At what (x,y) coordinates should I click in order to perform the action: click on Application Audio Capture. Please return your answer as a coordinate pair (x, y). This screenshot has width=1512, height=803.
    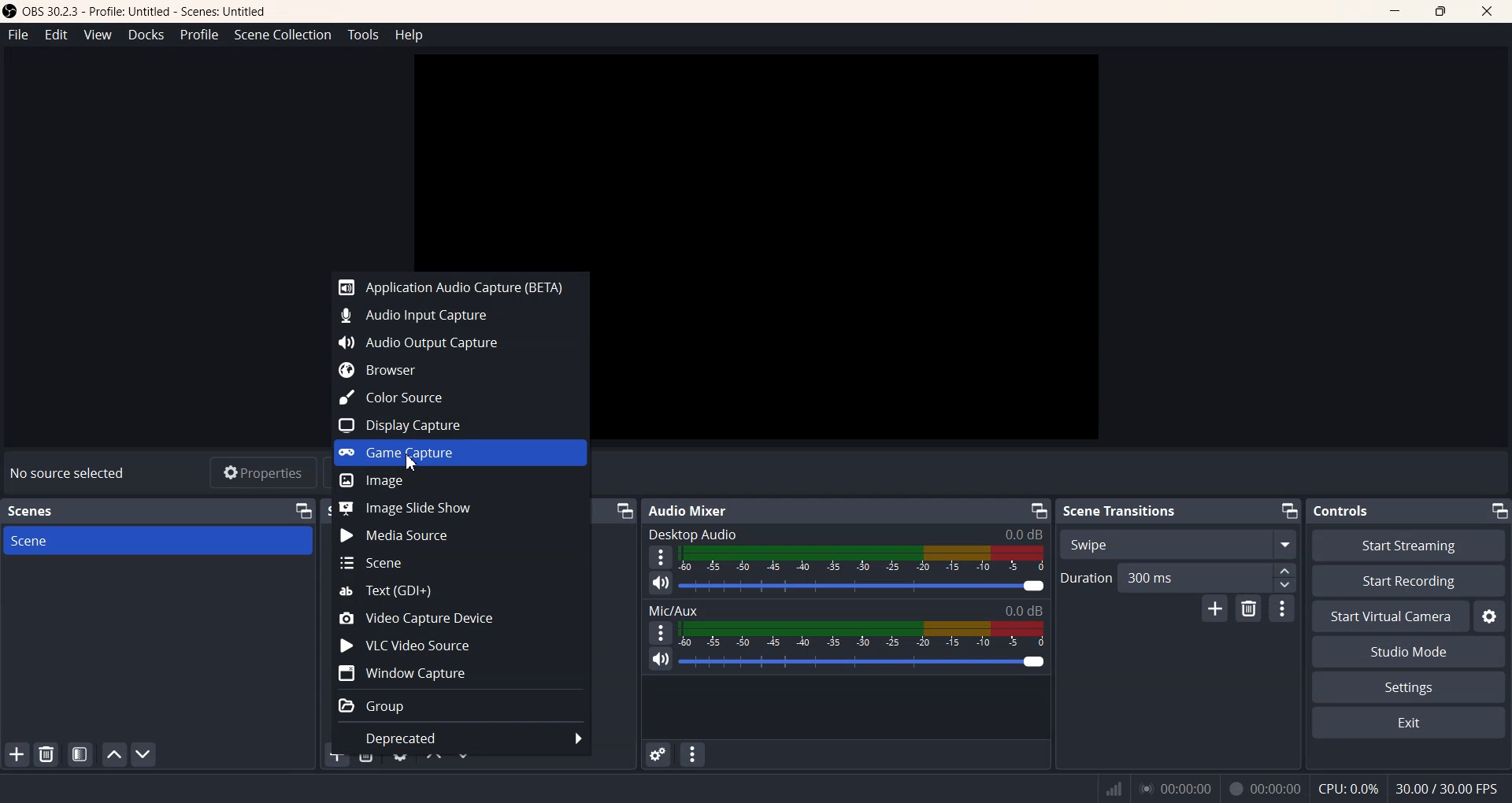
    Looking at the image, I should click on (455, 286).